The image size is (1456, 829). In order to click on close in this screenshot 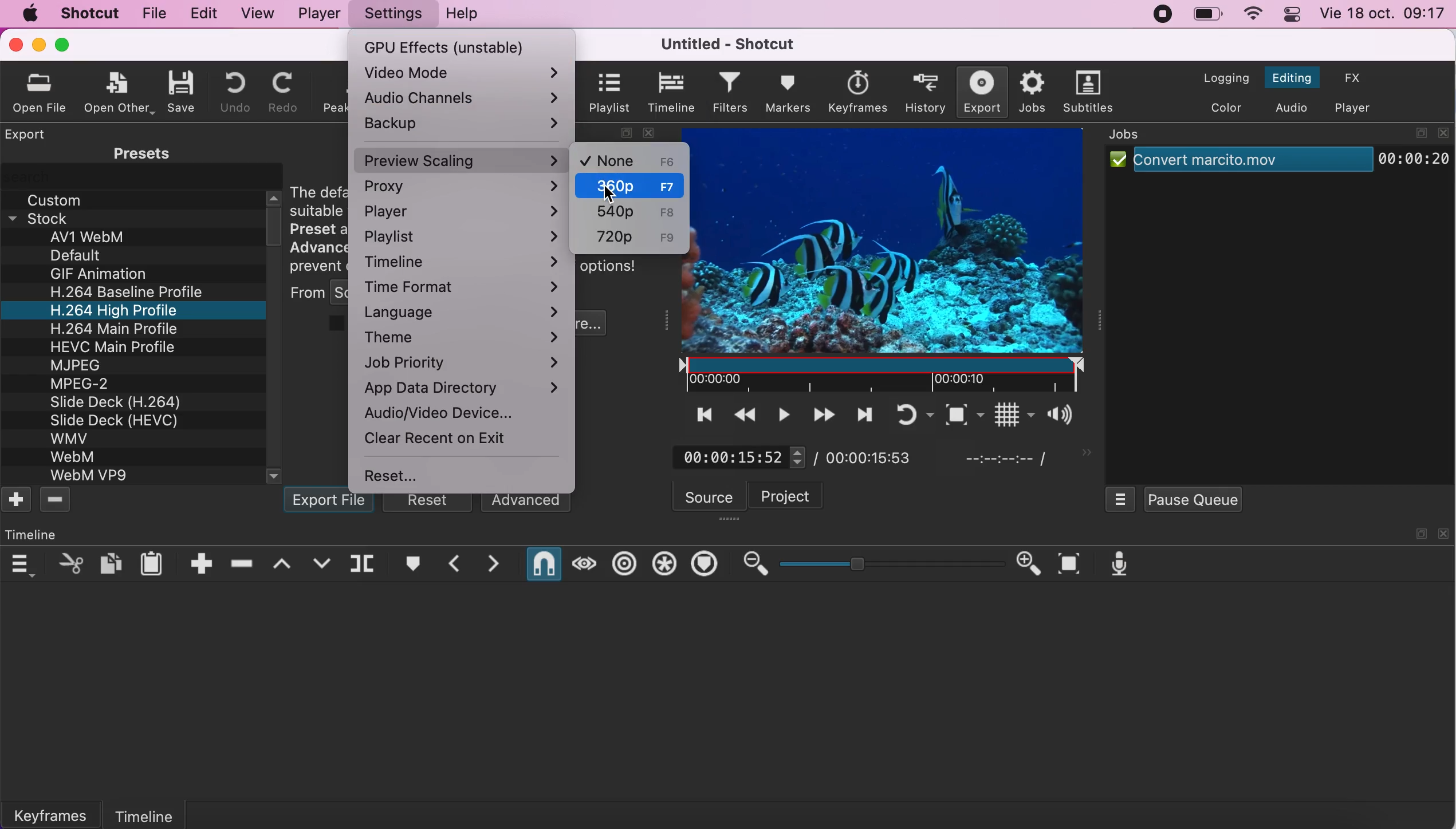, I will do `click(1444, 534)`.